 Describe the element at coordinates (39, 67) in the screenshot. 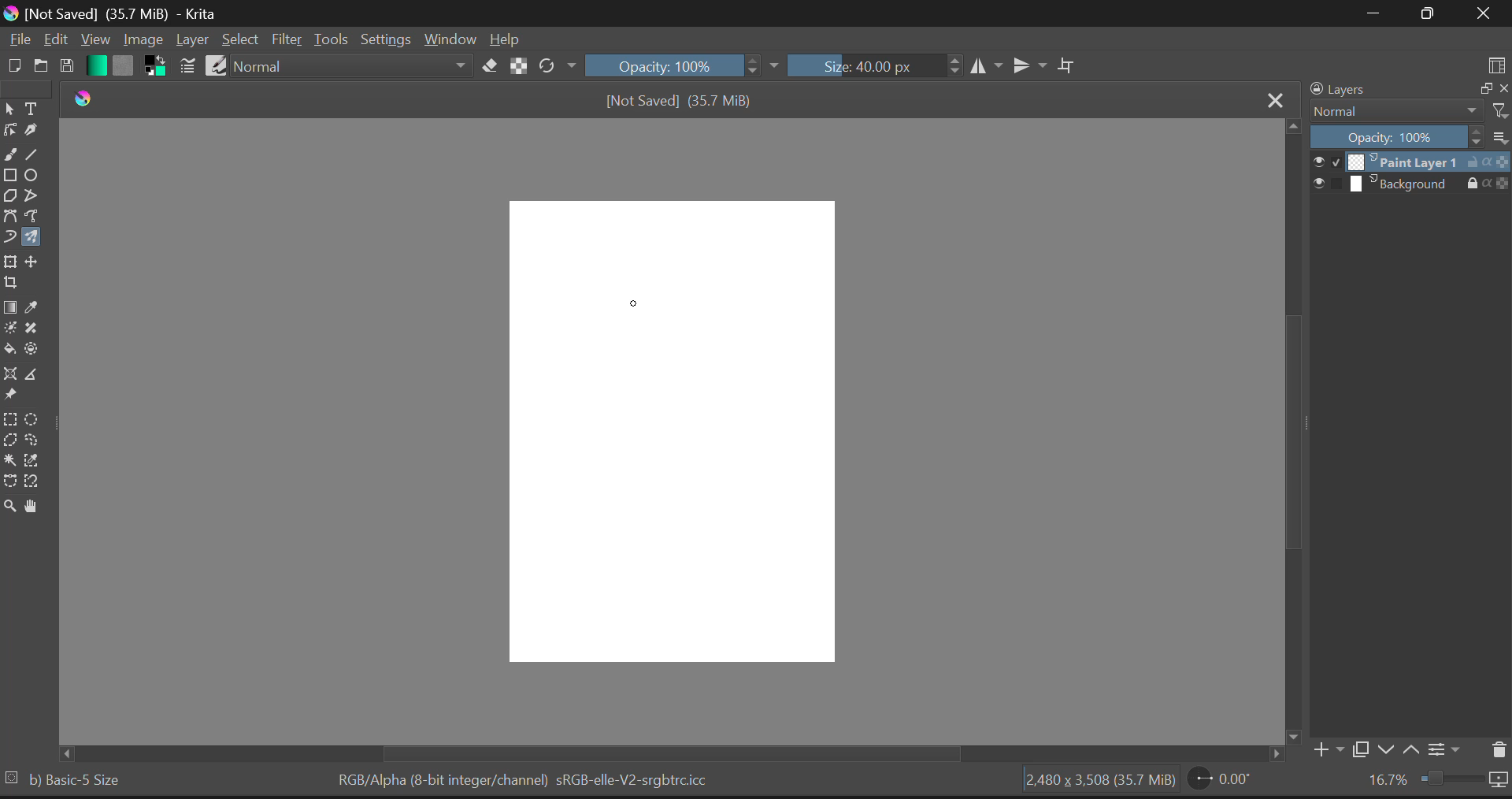

I see `Open` at that location.